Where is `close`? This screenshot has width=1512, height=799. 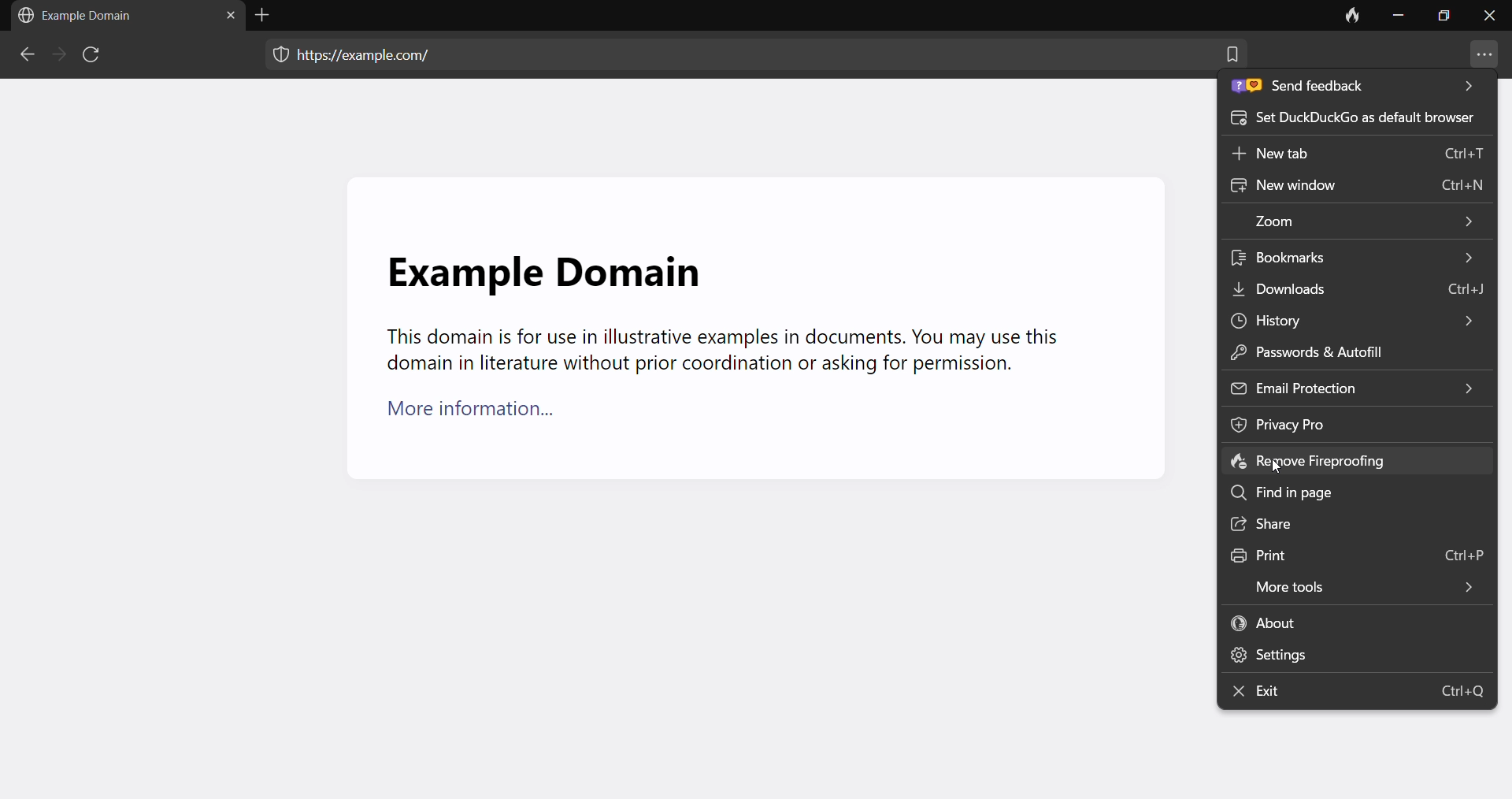
close is located at coordinates (1489, 20).